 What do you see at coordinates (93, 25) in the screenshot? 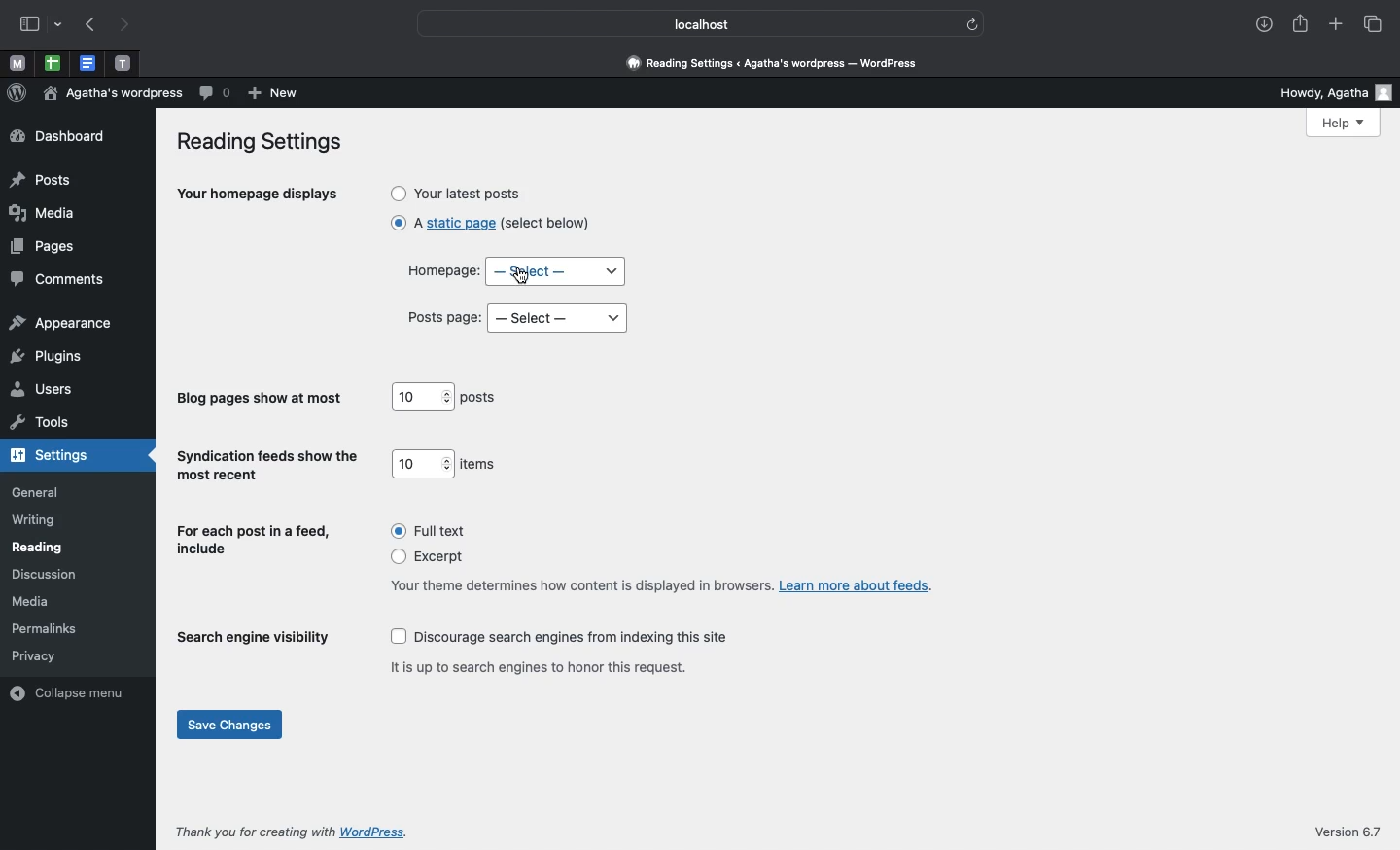
I see `Previous page` at bounding box center [93, 25].